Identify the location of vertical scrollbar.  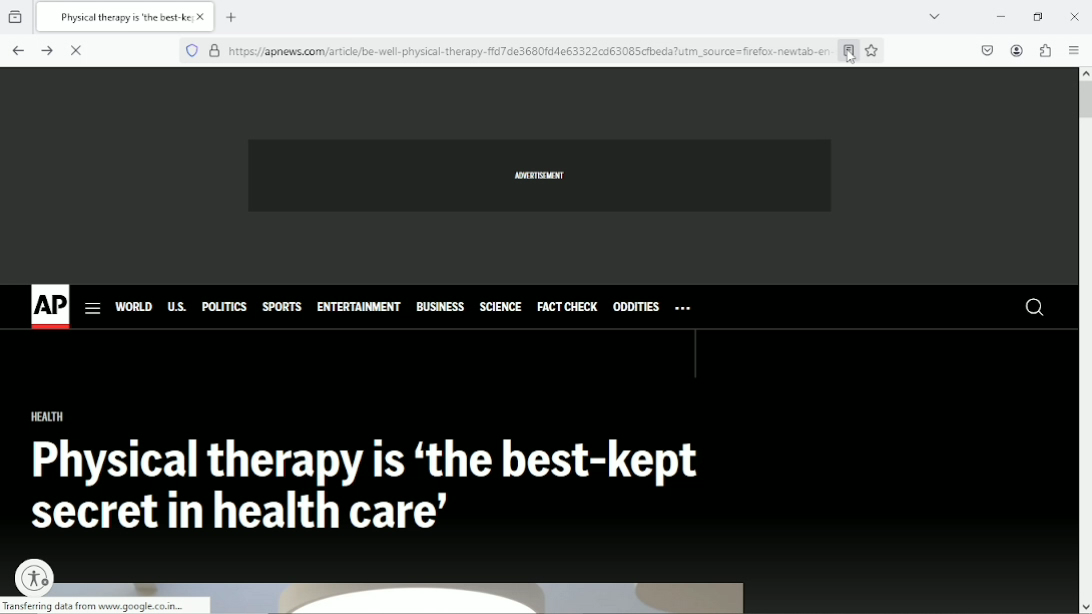
(1085, 99).